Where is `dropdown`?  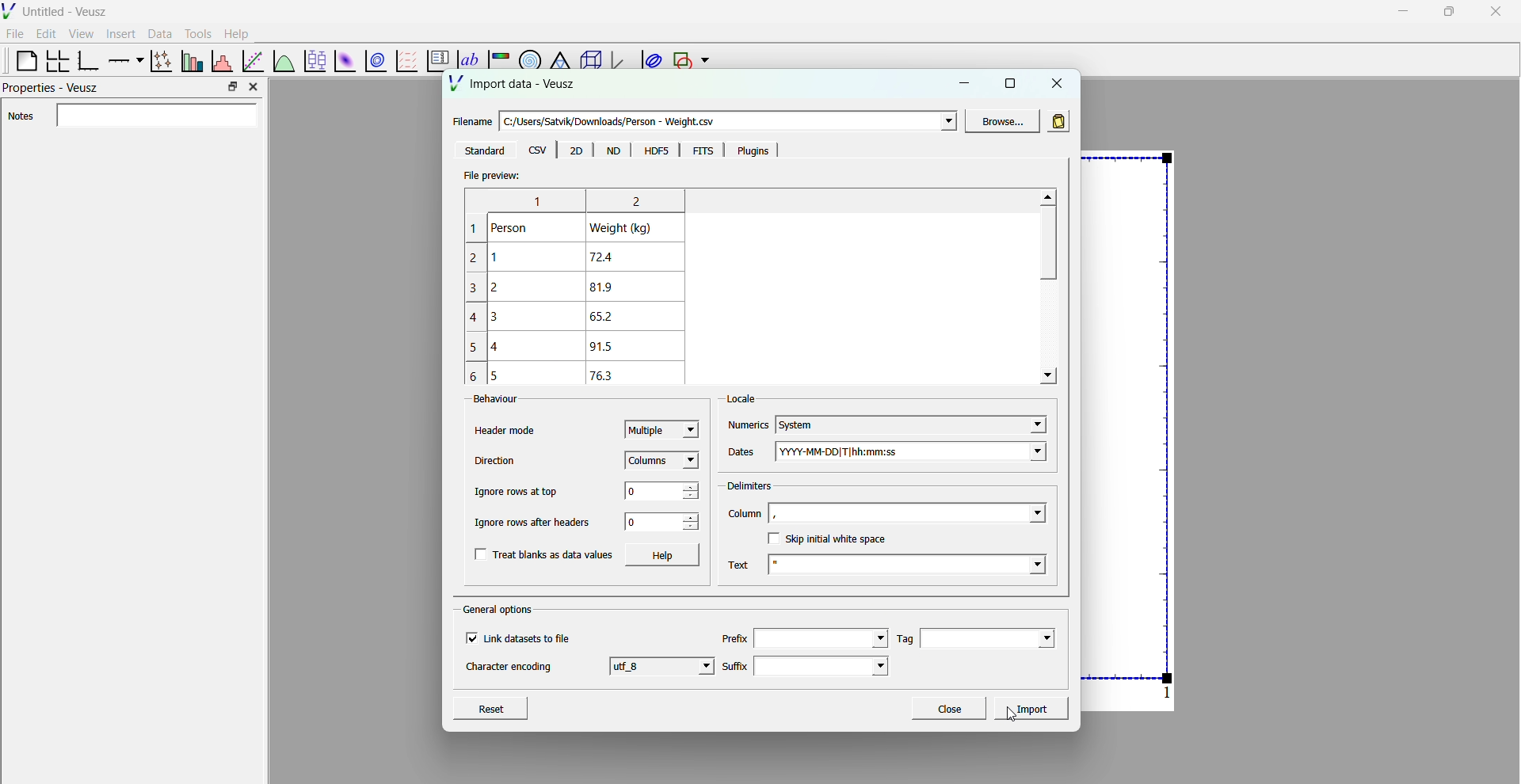
dropdown is located at coordinates (705, 61).